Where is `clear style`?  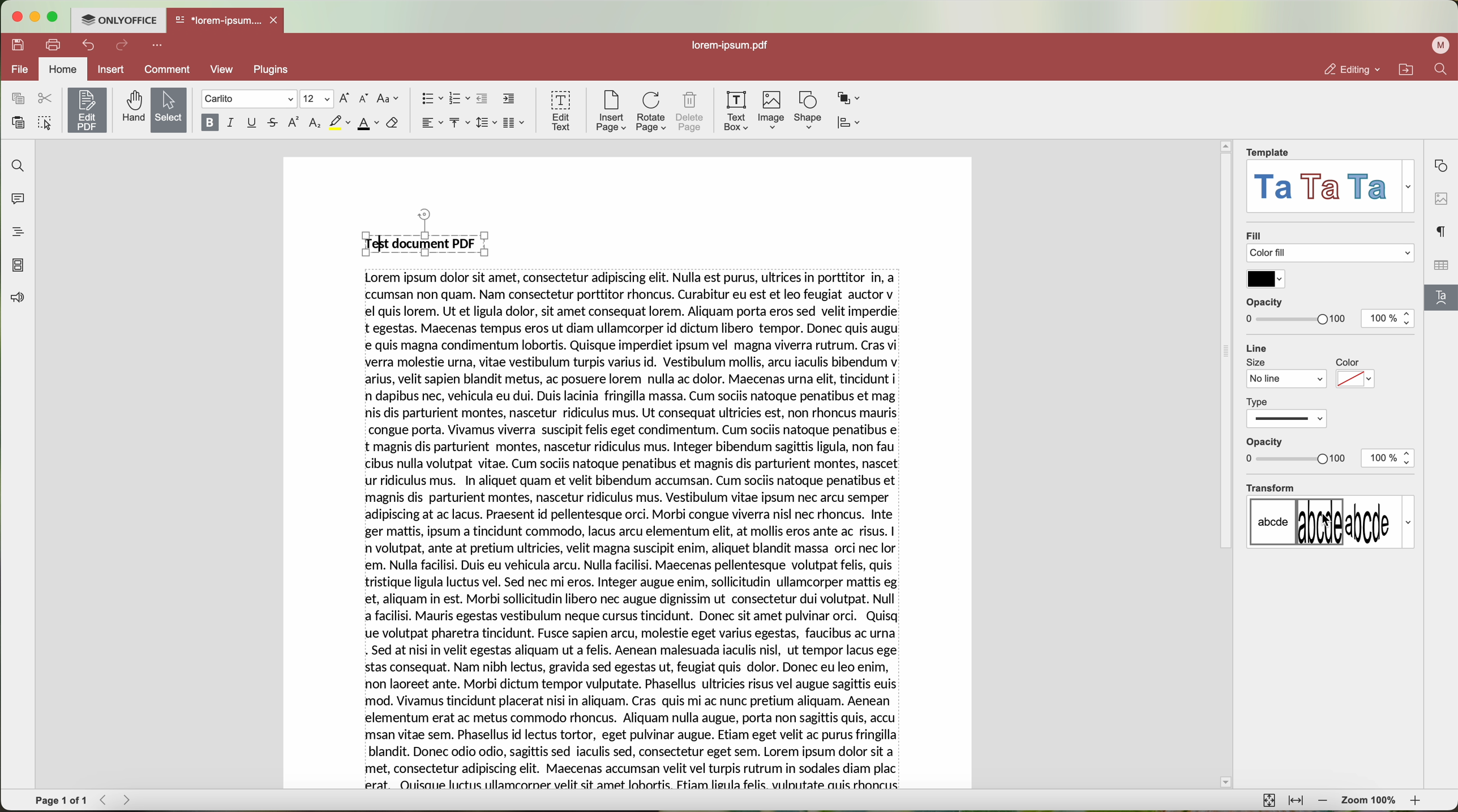
clear style is located at coordinates (393, 124).